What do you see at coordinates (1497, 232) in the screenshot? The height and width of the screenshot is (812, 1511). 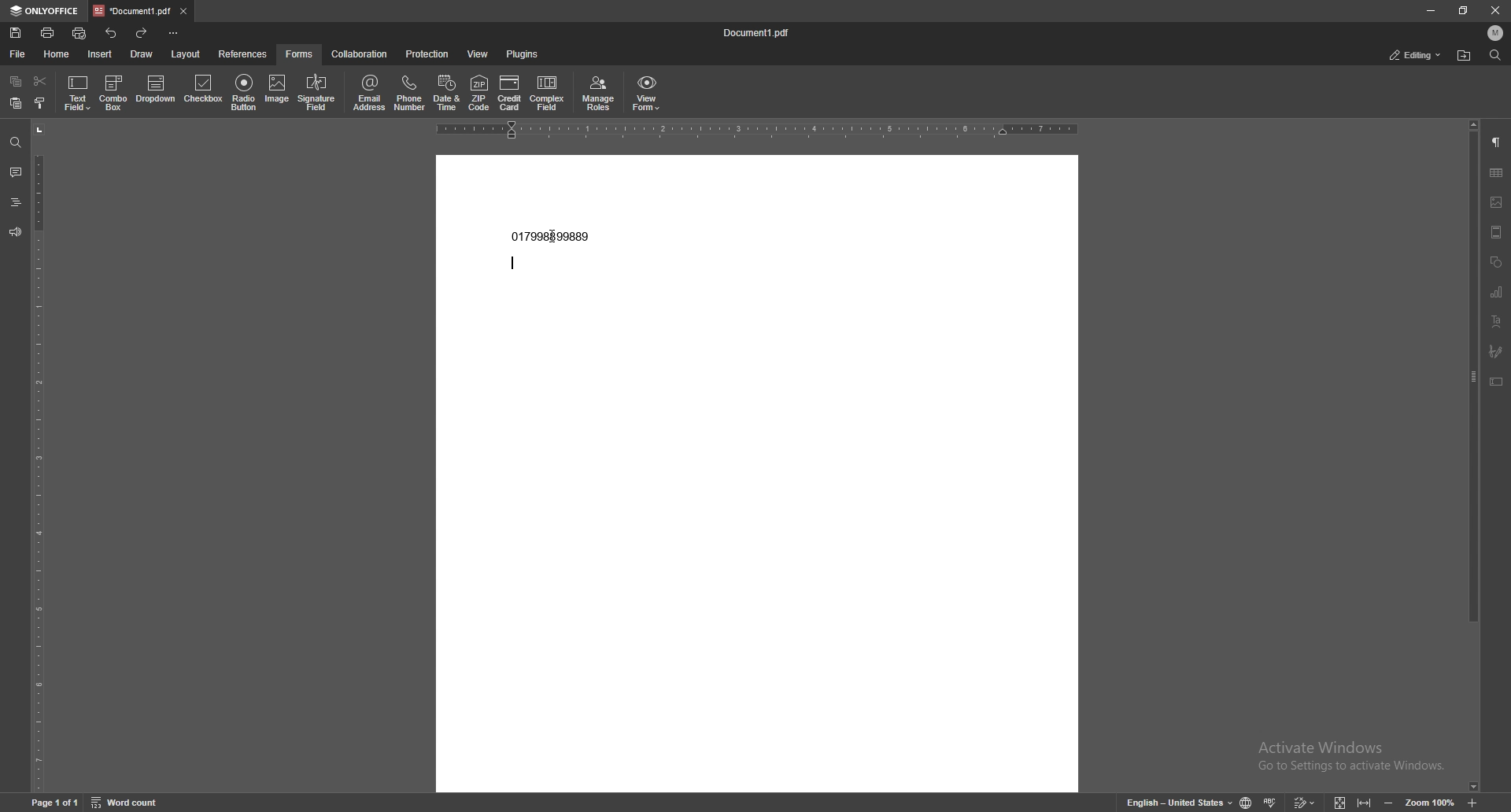 I see `header and footer` at bounding box center [1497, 232].